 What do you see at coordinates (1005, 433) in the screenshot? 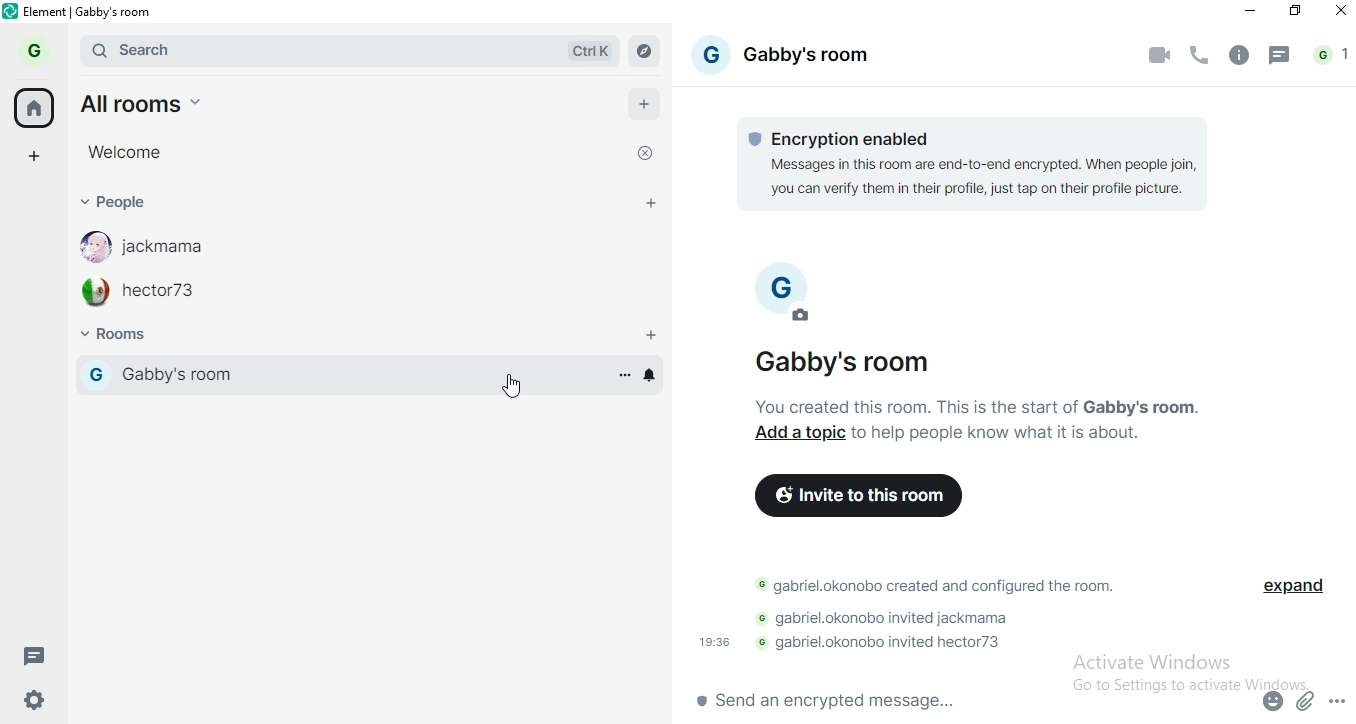
I see `text` at bounding box center [1005, 433].